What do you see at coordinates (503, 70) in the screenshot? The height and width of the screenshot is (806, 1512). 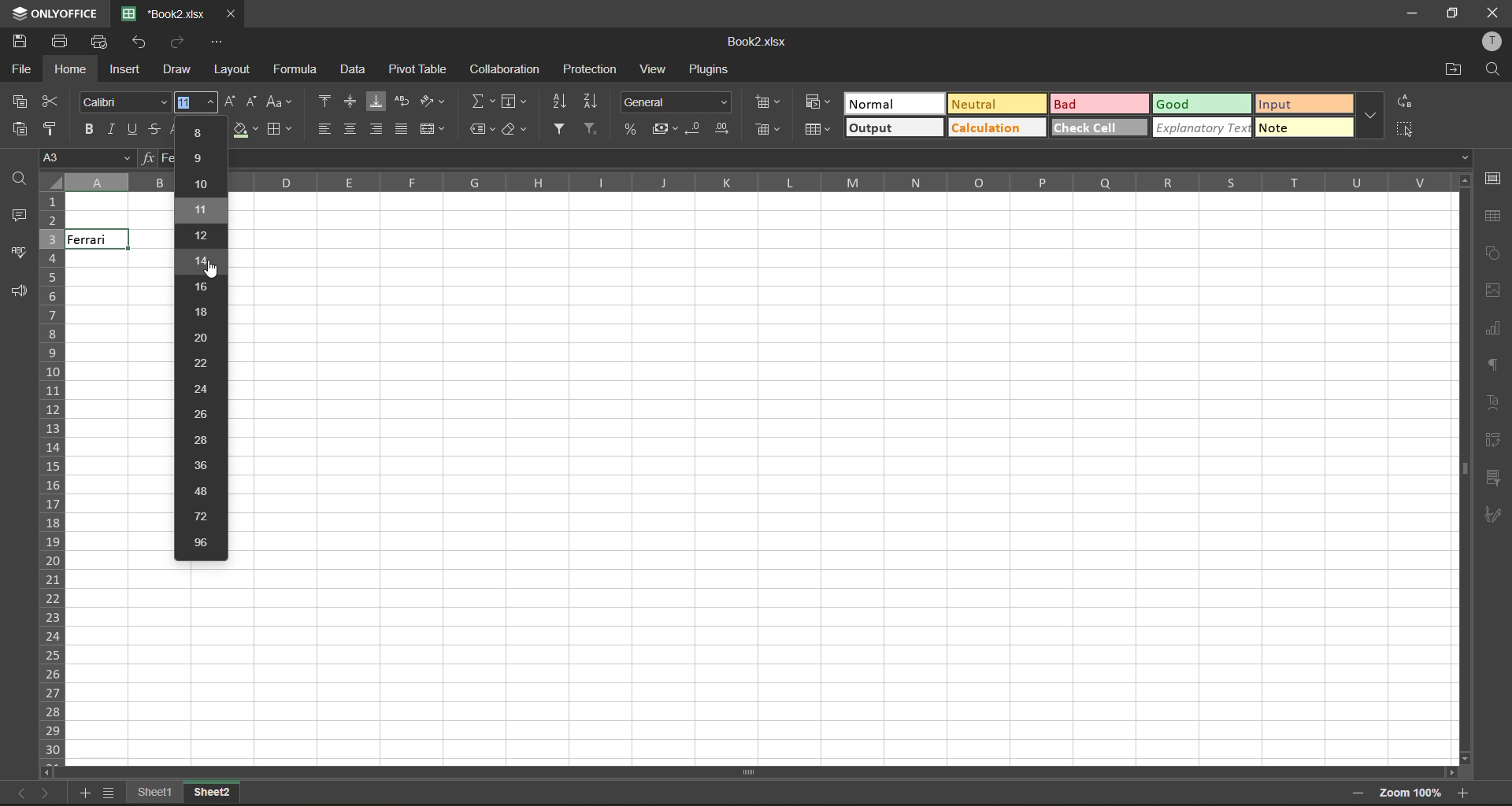 I see `collaboration` at bounding box center [503, 70].